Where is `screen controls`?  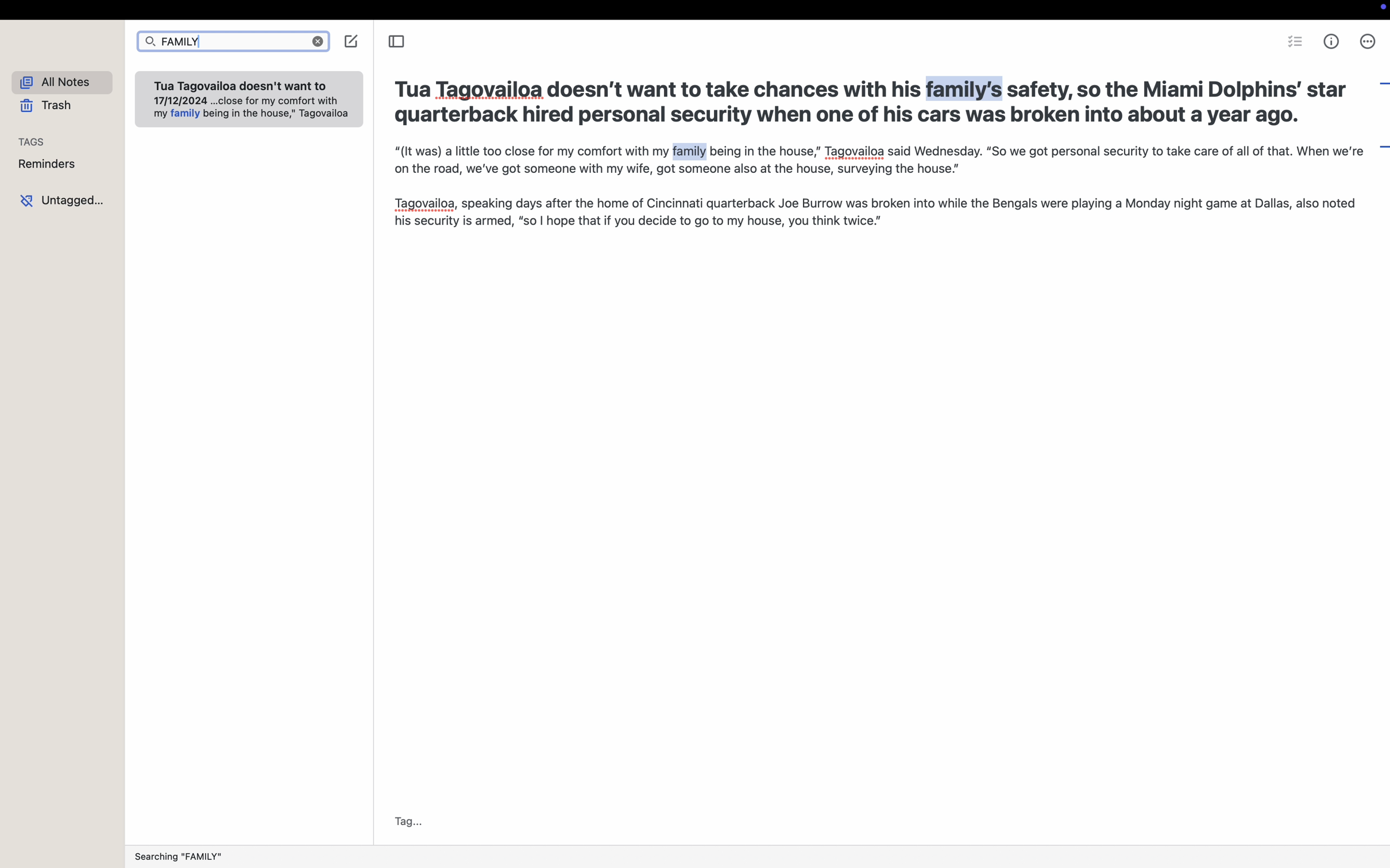 screen controls is located at coordinates (1380, 10).